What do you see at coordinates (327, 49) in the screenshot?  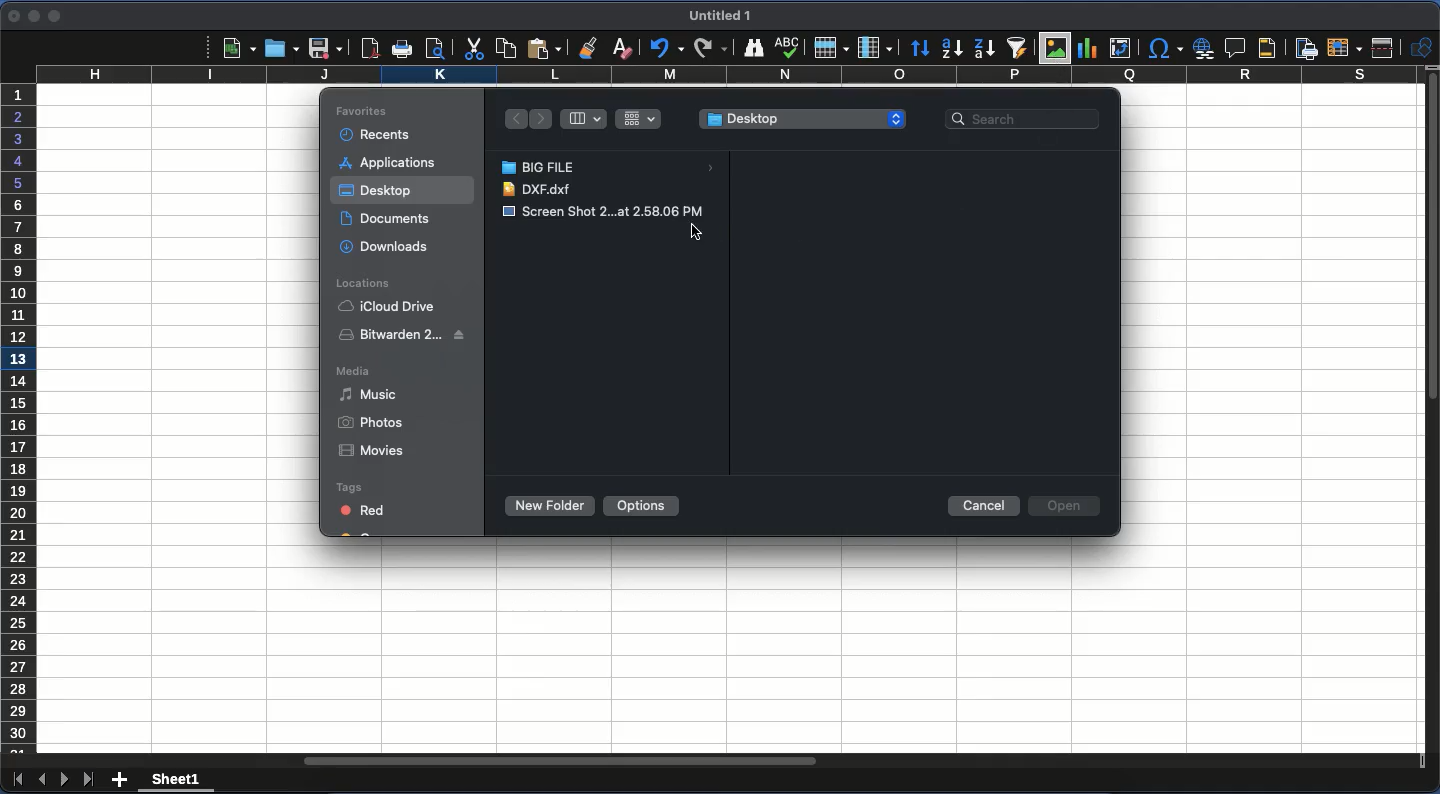 I see `save` at bounding box center [327, 49].